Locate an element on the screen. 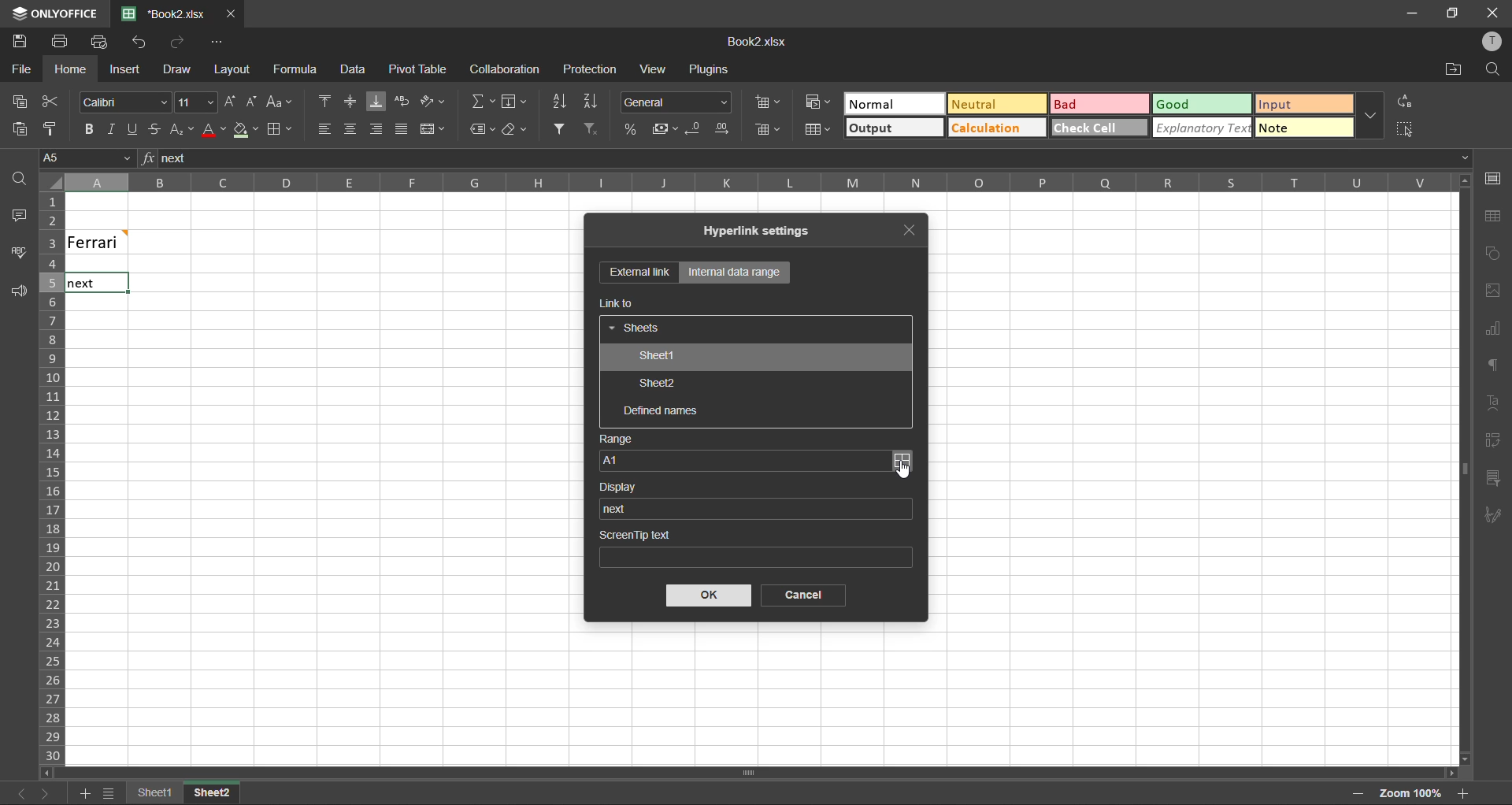 Image resolution: width=1512 pixels, height=805 pixels. quick print is located at coordinates (99, 41).